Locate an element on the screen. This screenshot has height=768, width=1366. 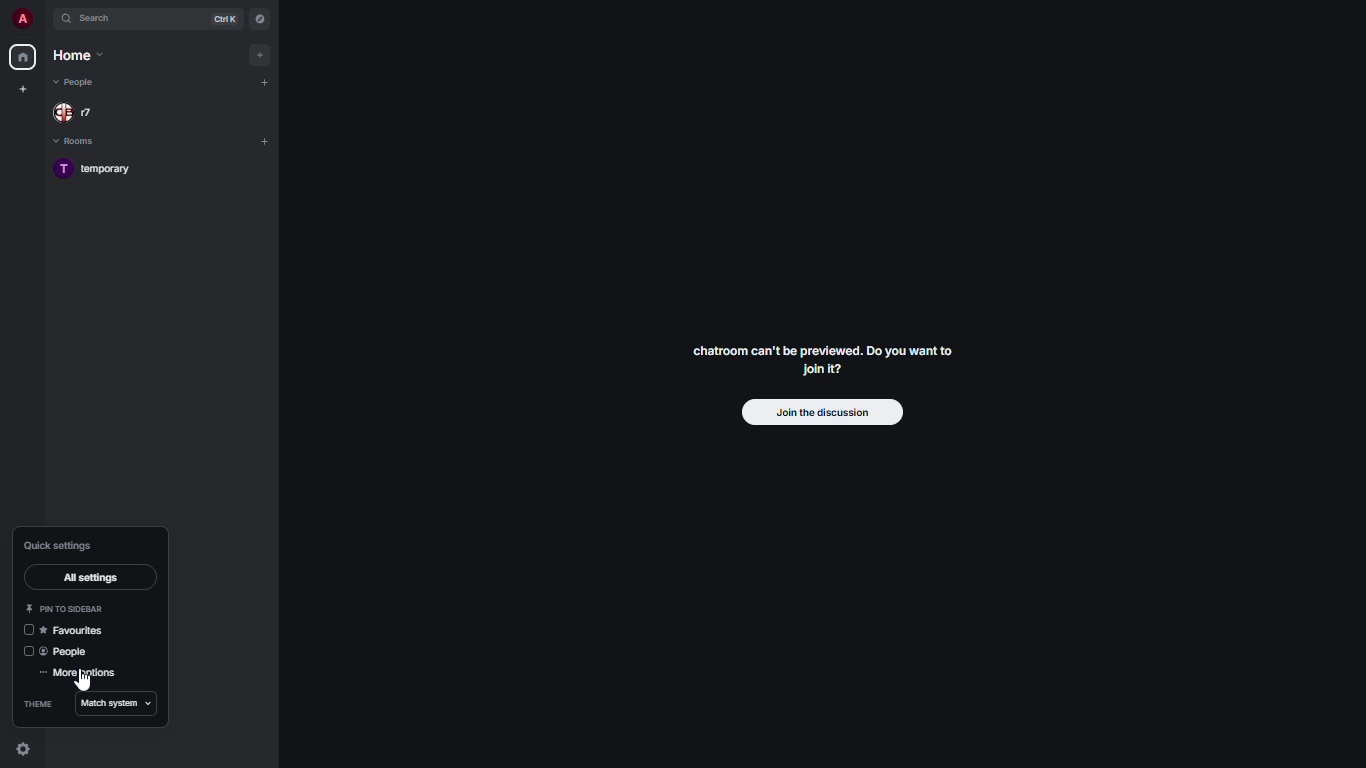
profile is located at coordinates (22, 19).